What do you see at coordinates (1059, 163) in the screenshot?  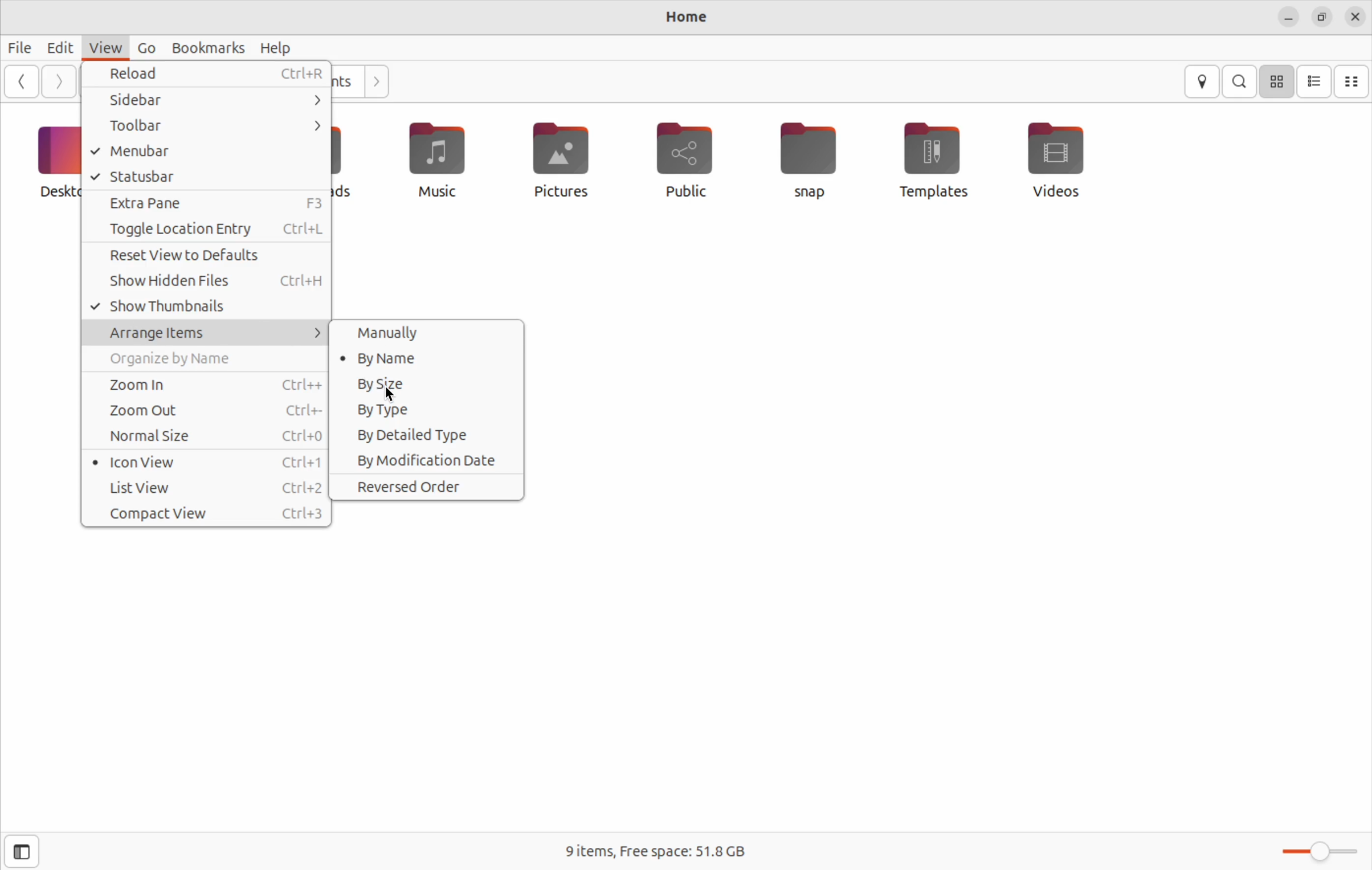 I see `videos` at bounding box center [1059, 163].